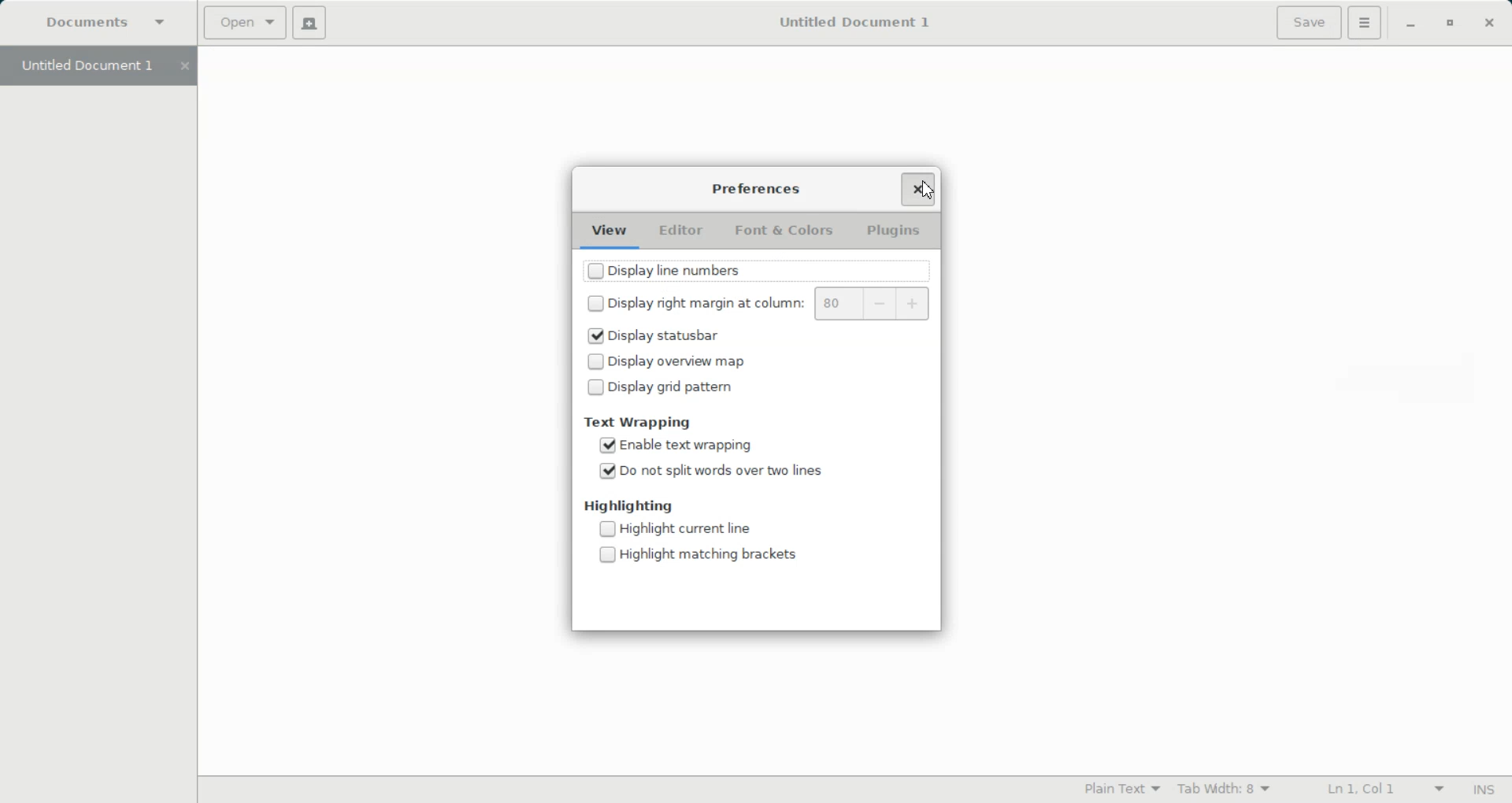  I want to click on (un)check Disable Highlight current line, so click(676, 528).